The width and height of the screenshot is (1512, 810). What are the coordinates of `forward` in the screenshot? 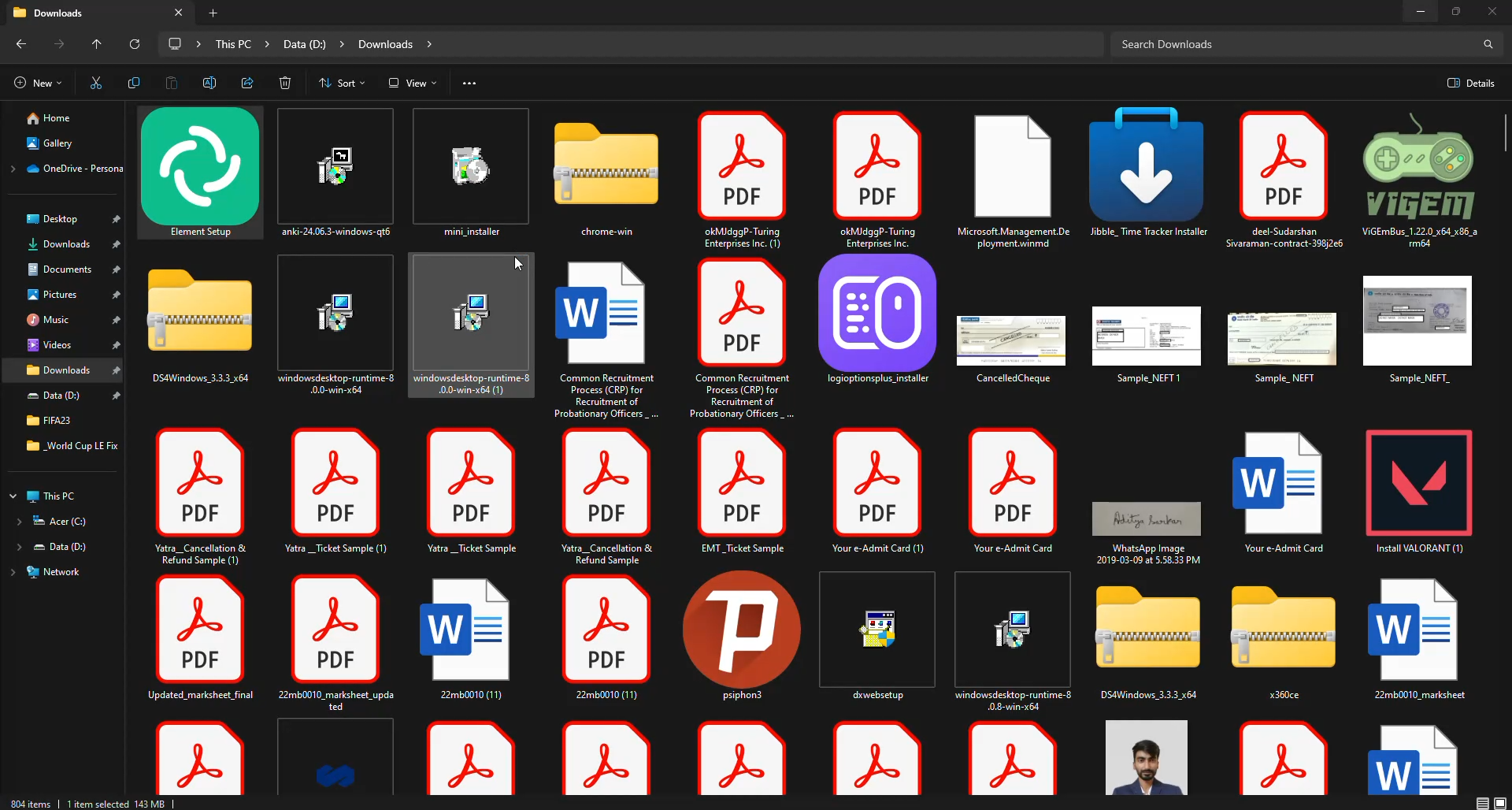 It's located at (58, 45).